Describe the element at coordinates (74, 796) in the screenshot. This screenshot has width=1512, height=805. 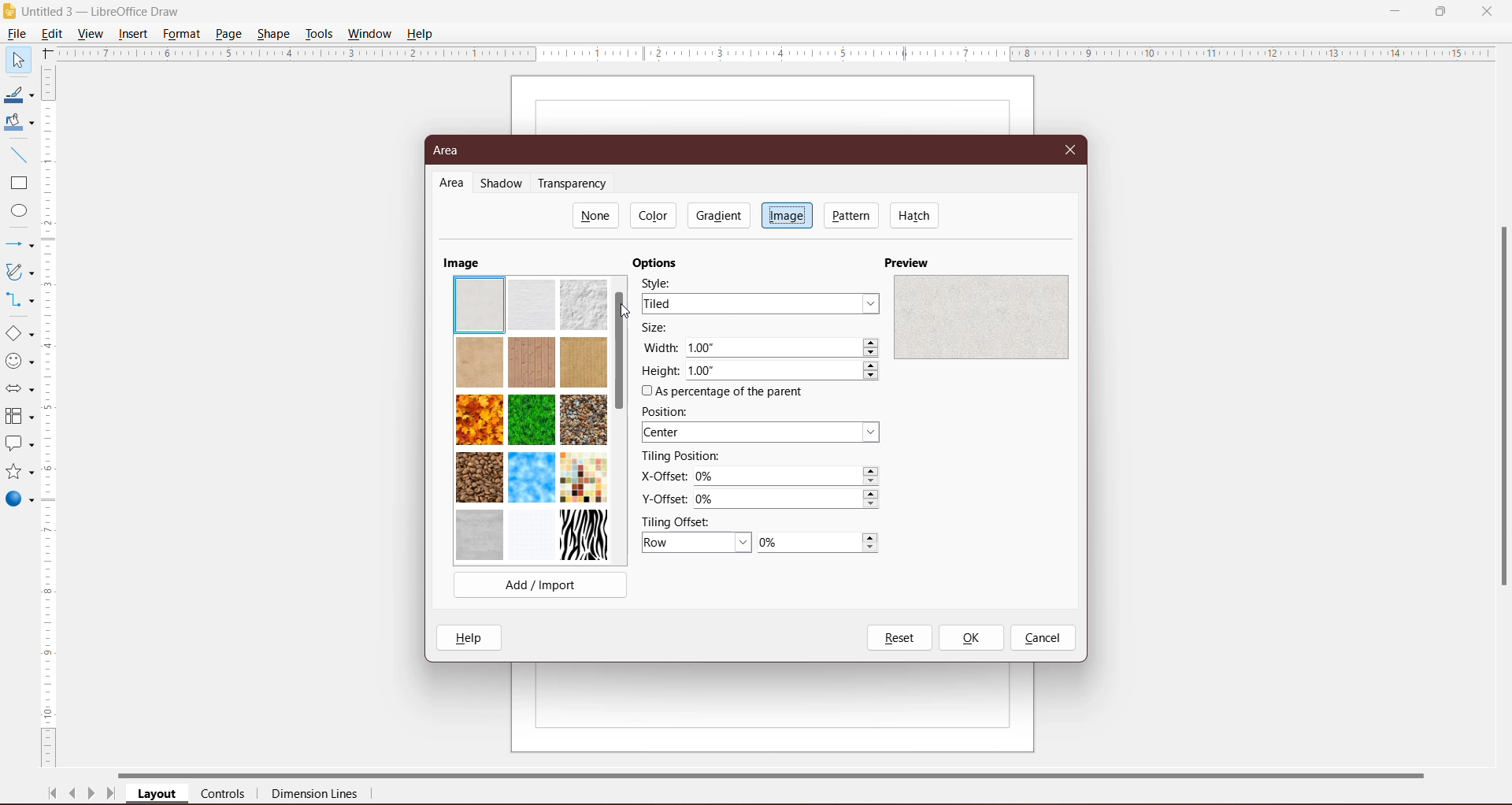
I see `Scroll to previous page` at that location.